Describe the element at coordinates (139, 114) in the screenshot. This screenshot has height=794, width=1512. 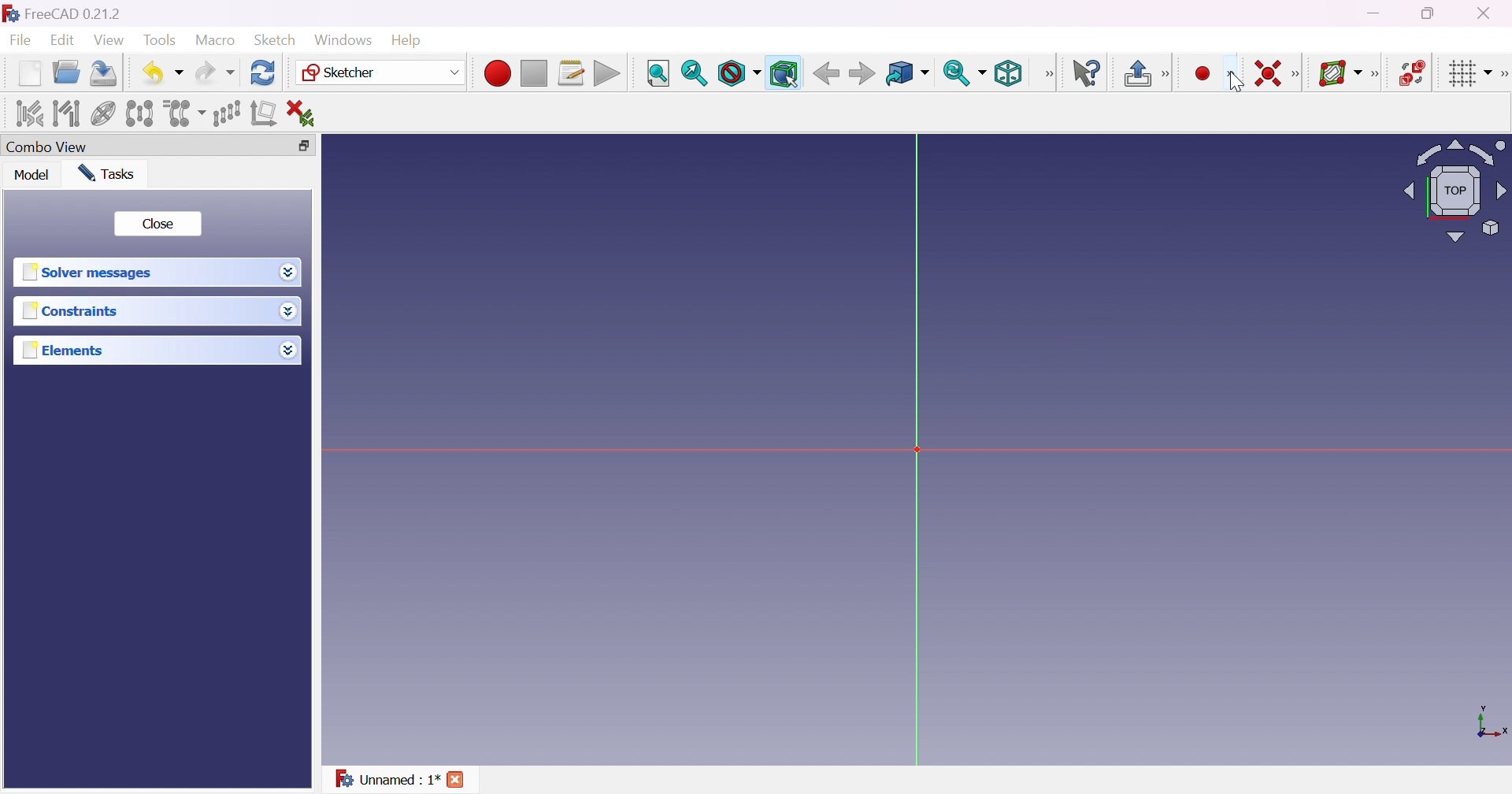
I see `Symmetry` at that location.